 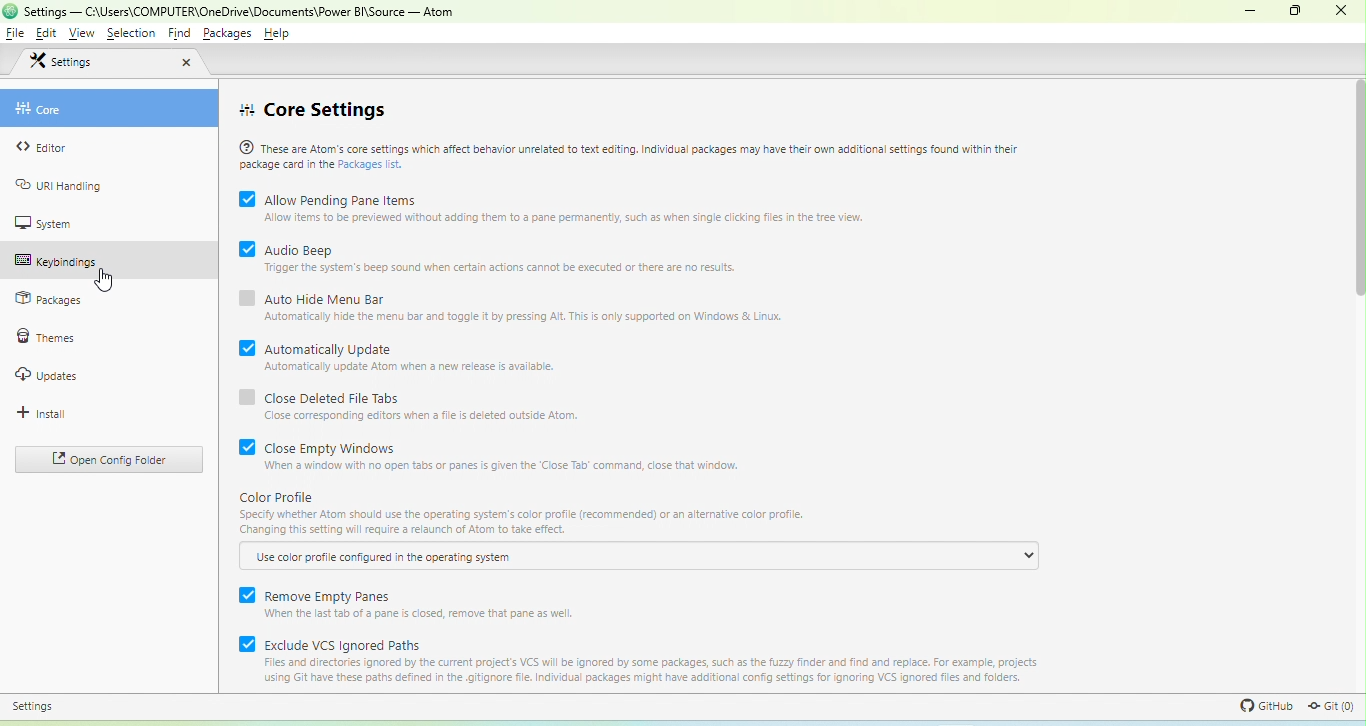 What do you see at coordinates (276, 33) in the screenshot?
I see `help menu` at bounding box center [276, 33].